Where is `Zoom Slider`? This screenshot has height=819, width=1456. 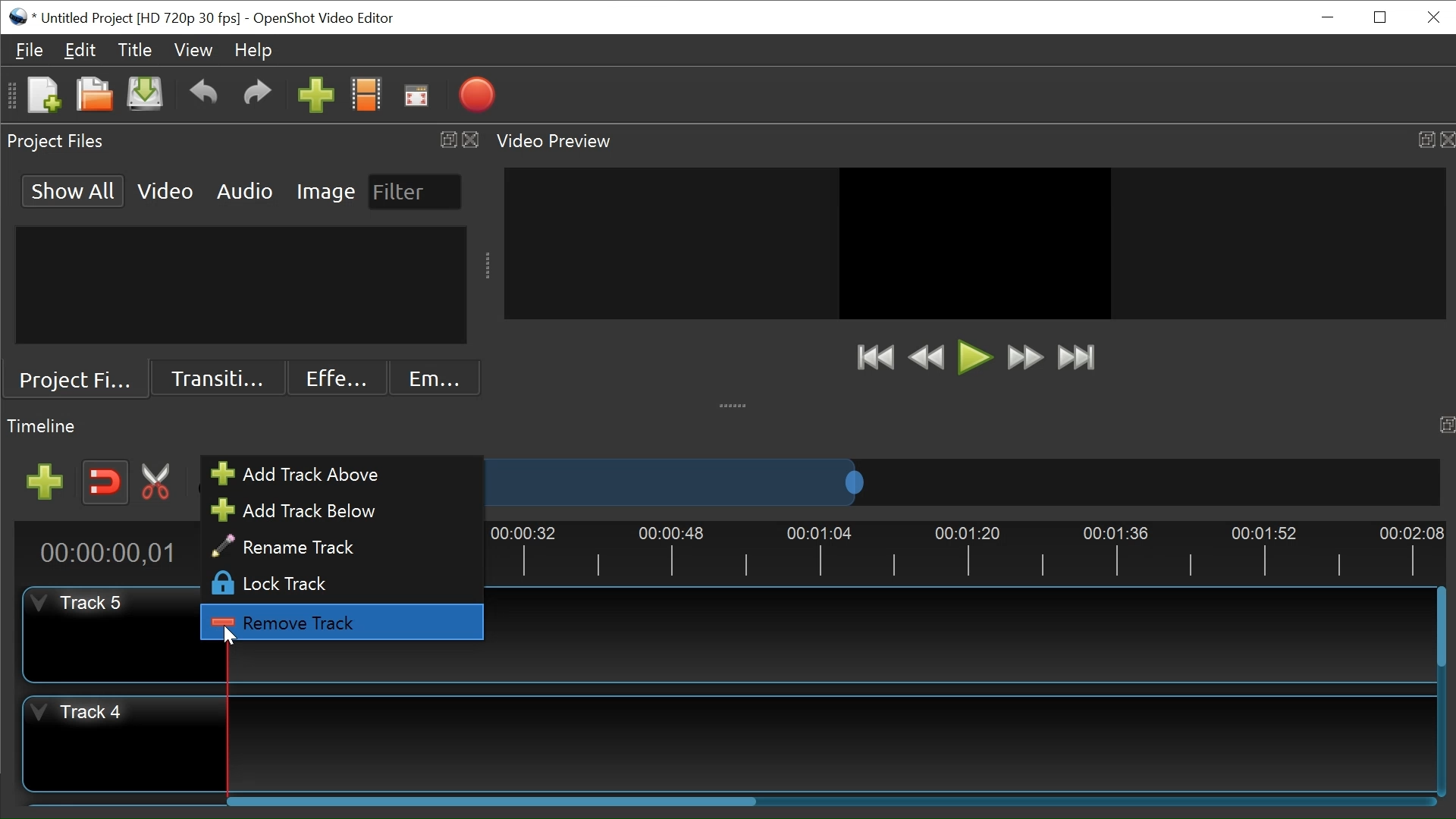
Zoom Slider is located at coordinates (958, 482).